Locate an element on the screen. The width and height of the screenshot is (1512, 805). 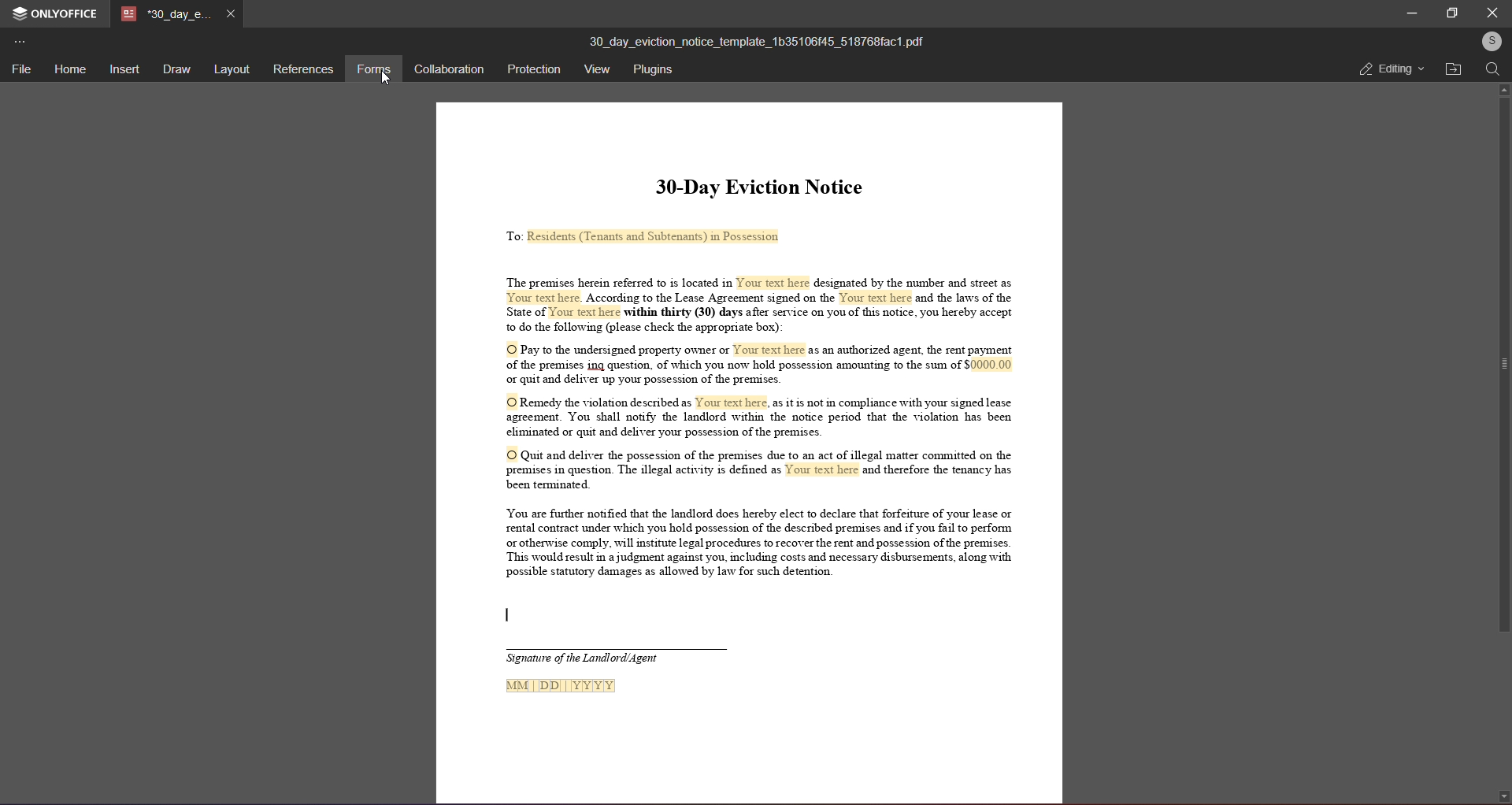
editing is located at coordinates (1390, 70).